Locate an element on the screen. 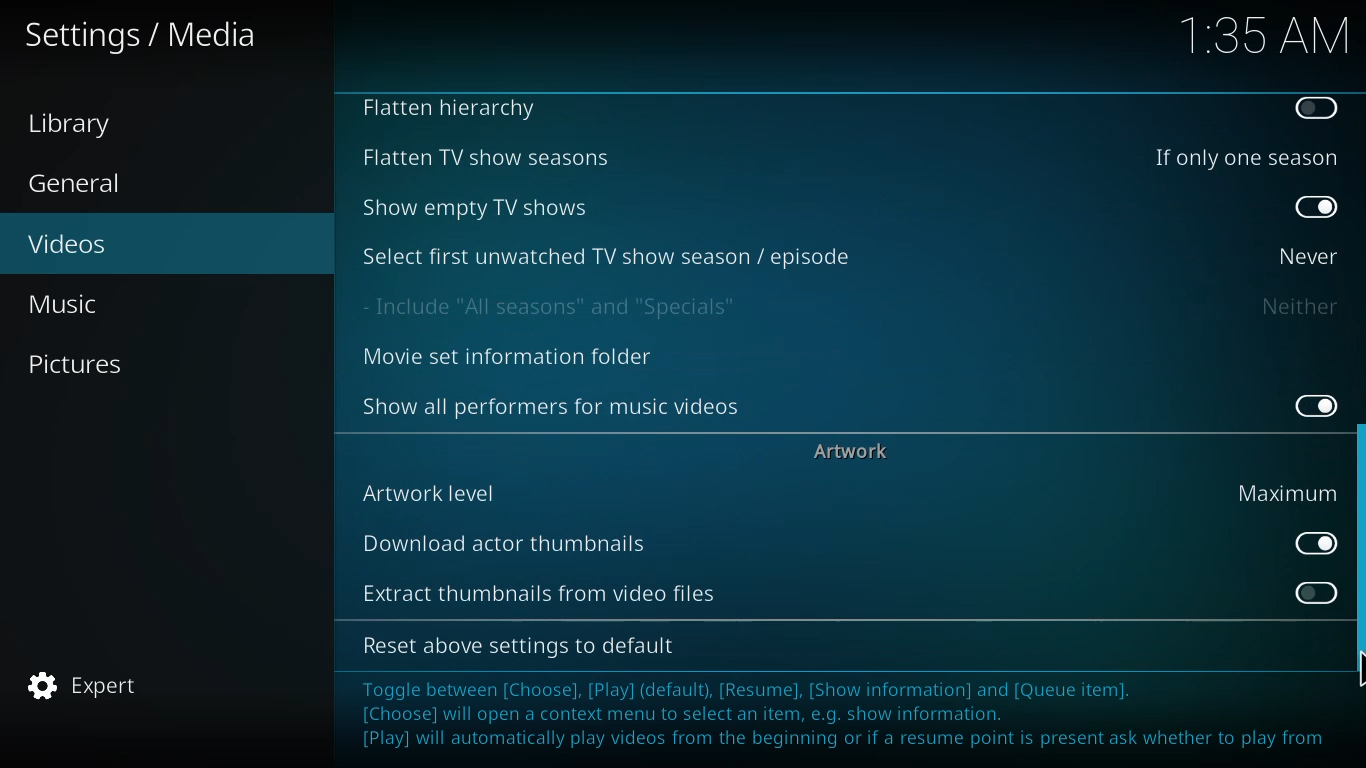 The height and width of the screenshot is (768, 1366). movie set info is located at coordinates (512, 358).